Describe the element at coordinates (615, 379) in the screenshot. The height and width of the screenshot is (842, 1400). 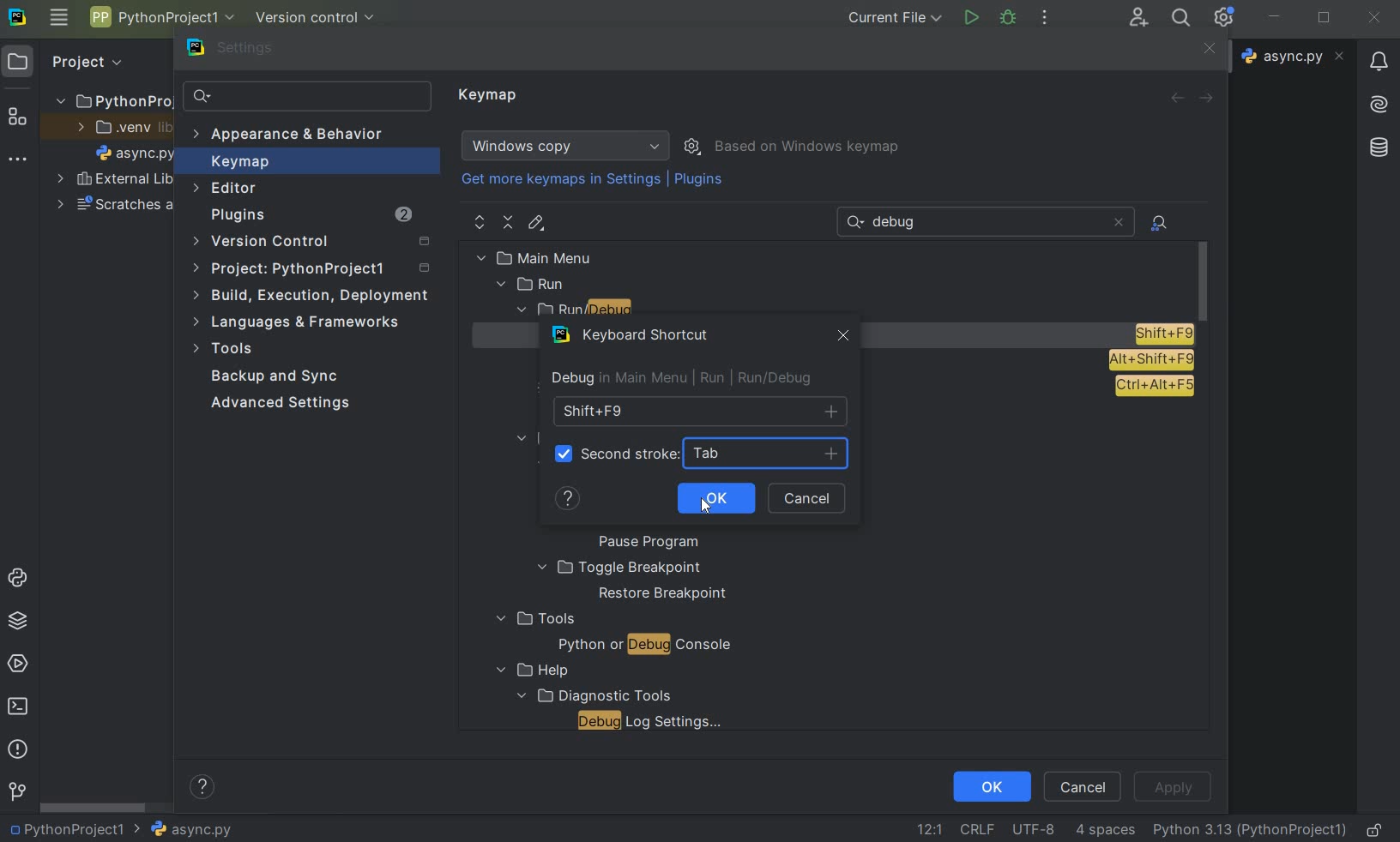
I see `debug inmain menu` at that location.